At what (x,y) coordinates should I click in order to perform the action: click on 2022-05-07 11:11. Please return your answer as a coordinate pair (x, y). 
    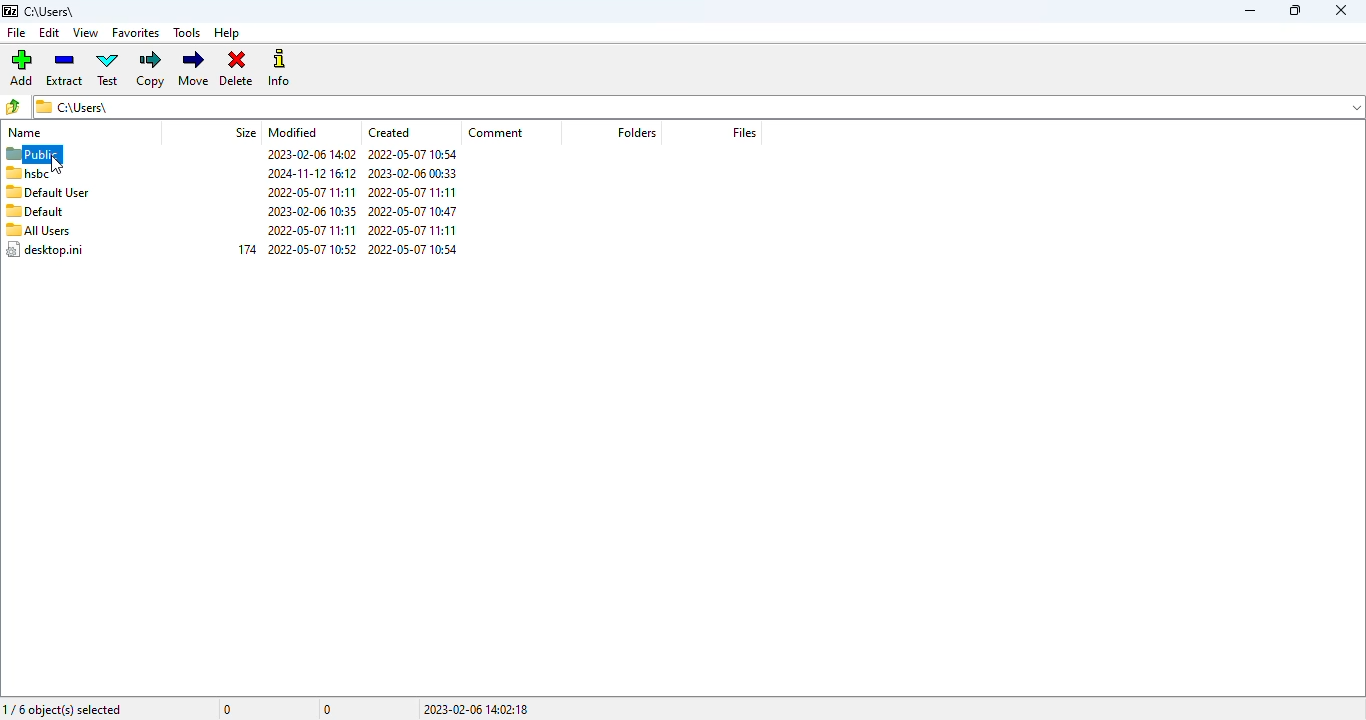
    Looking at the image, I should click on (305, 192).